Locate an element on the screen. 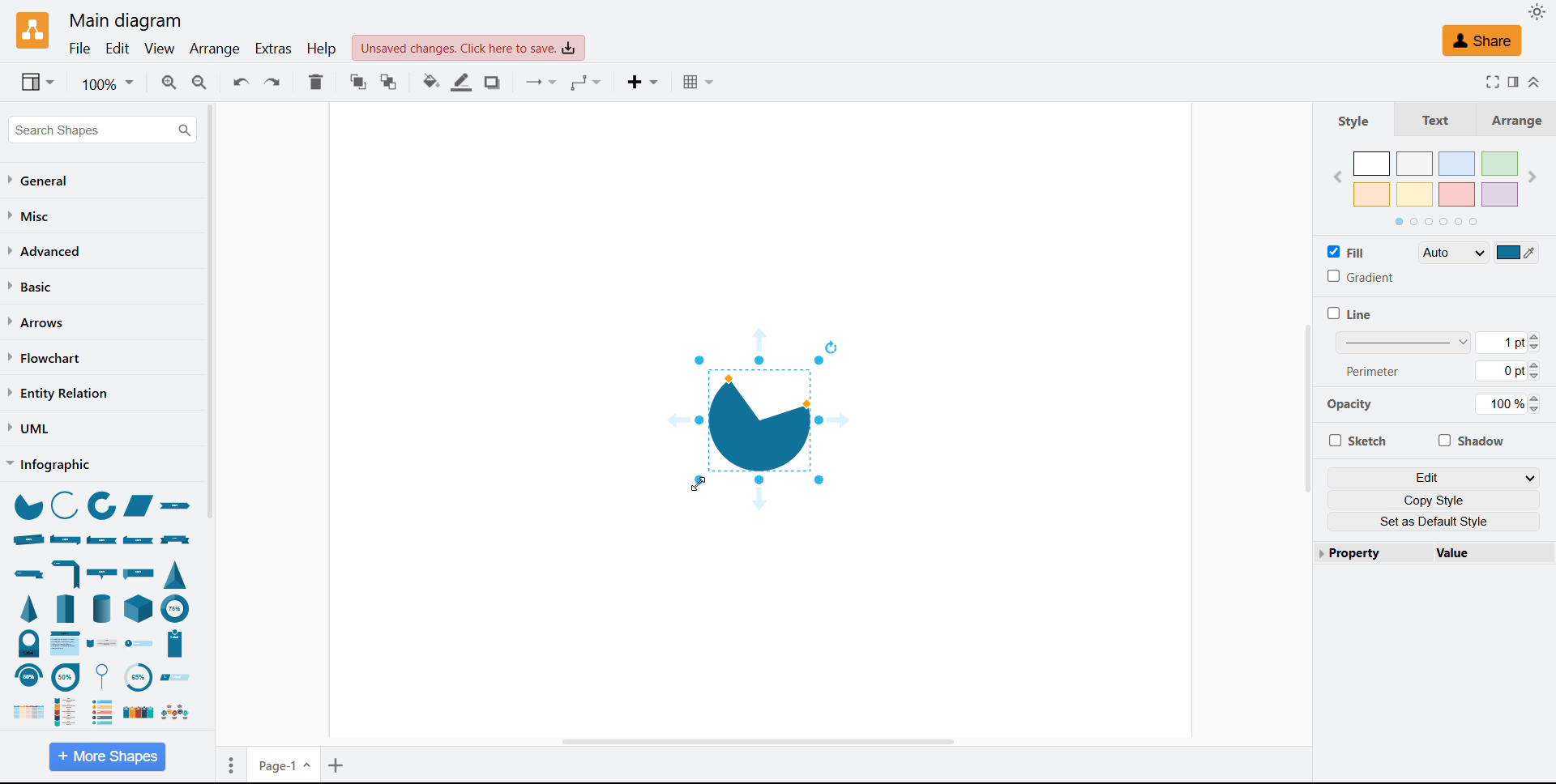  Zoom in  is located at coordinates (169, 82).